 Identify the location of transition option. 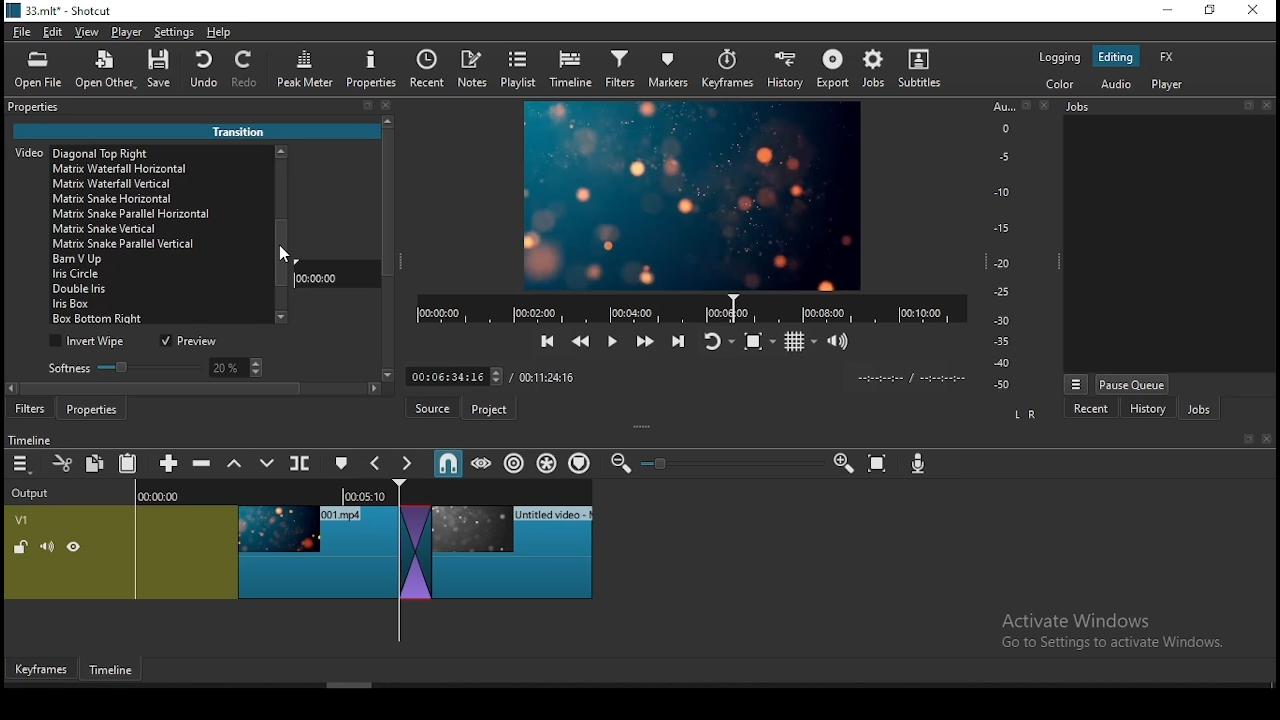
(159, 182).